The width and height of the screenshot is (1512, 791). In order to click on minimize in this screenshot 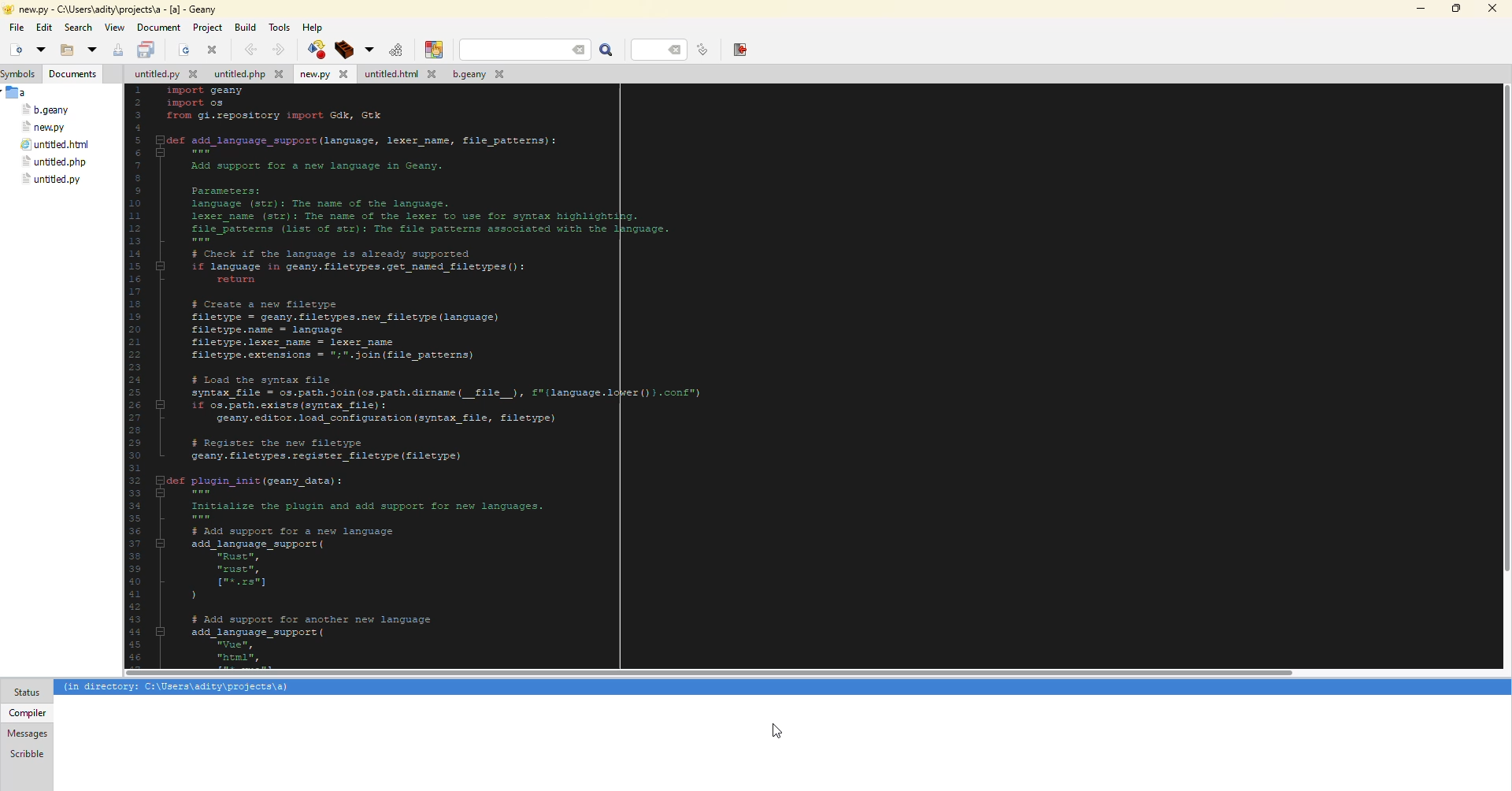, I will do `click(1418, 8)`.